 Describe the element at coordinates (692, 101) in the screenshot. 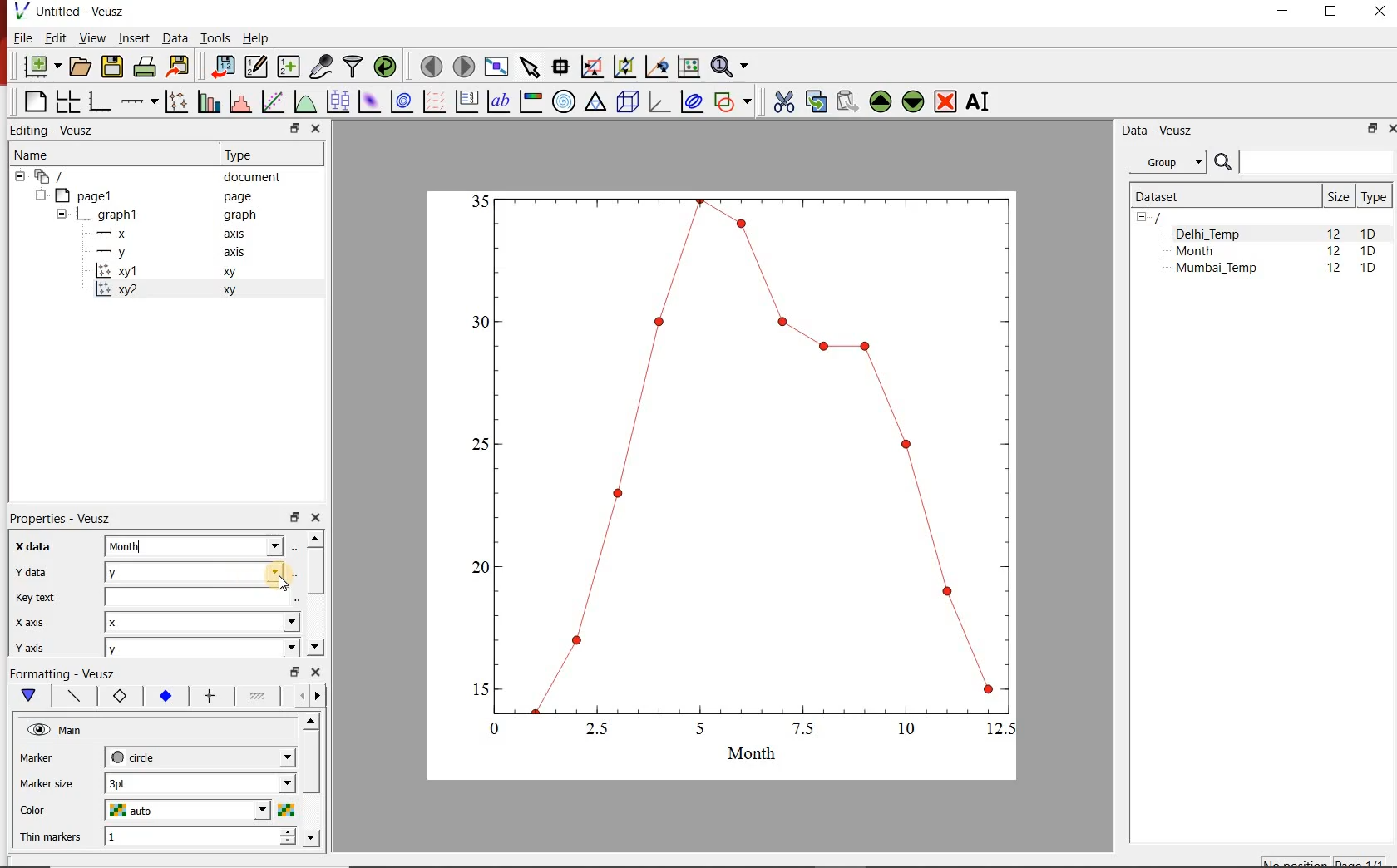

I see `plot covariance ellipses` at that location.